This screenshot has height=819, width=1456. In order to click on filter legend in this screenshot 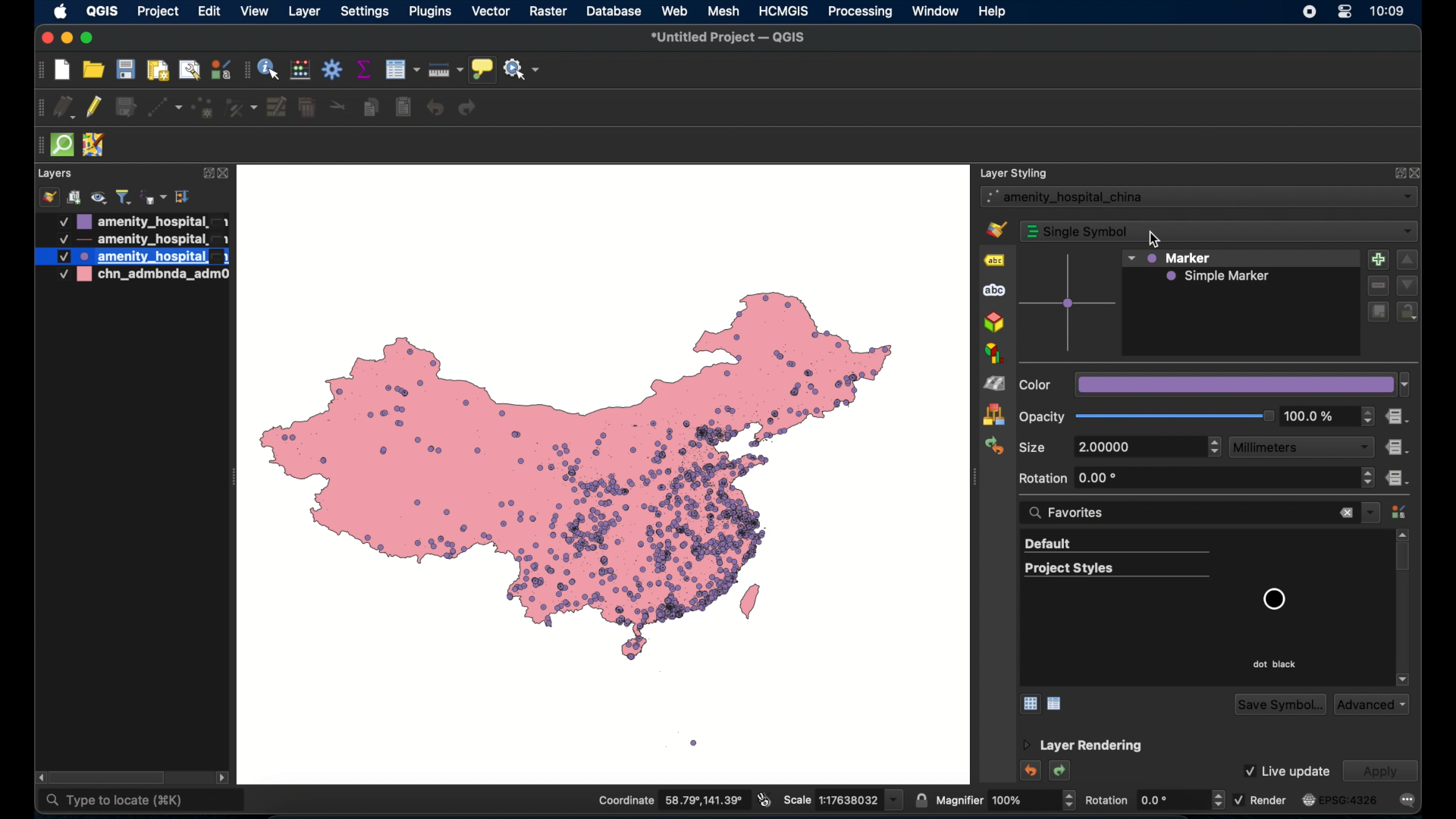, I will do `click(124, 197)`.